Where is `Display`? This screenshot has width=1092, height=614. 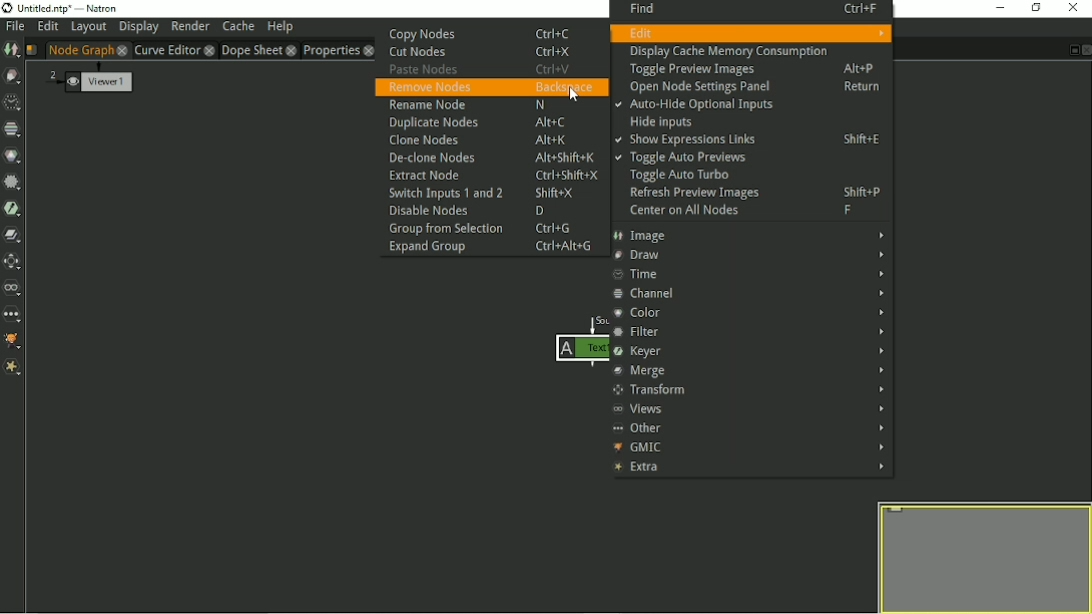
Display is located at coordinates (138, 28).